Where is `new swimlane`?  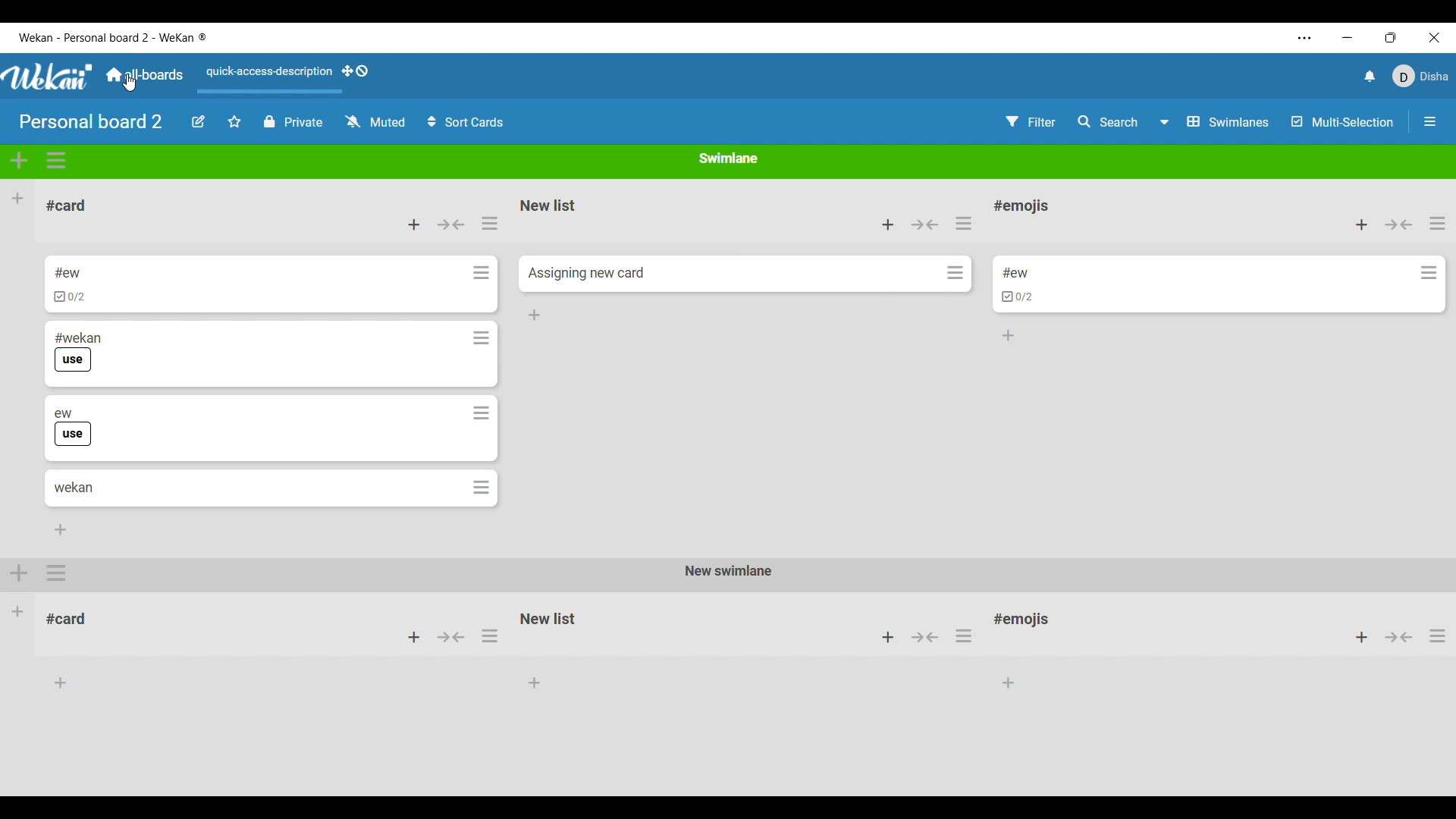
new swimlane is located at coordinates (729, 575).